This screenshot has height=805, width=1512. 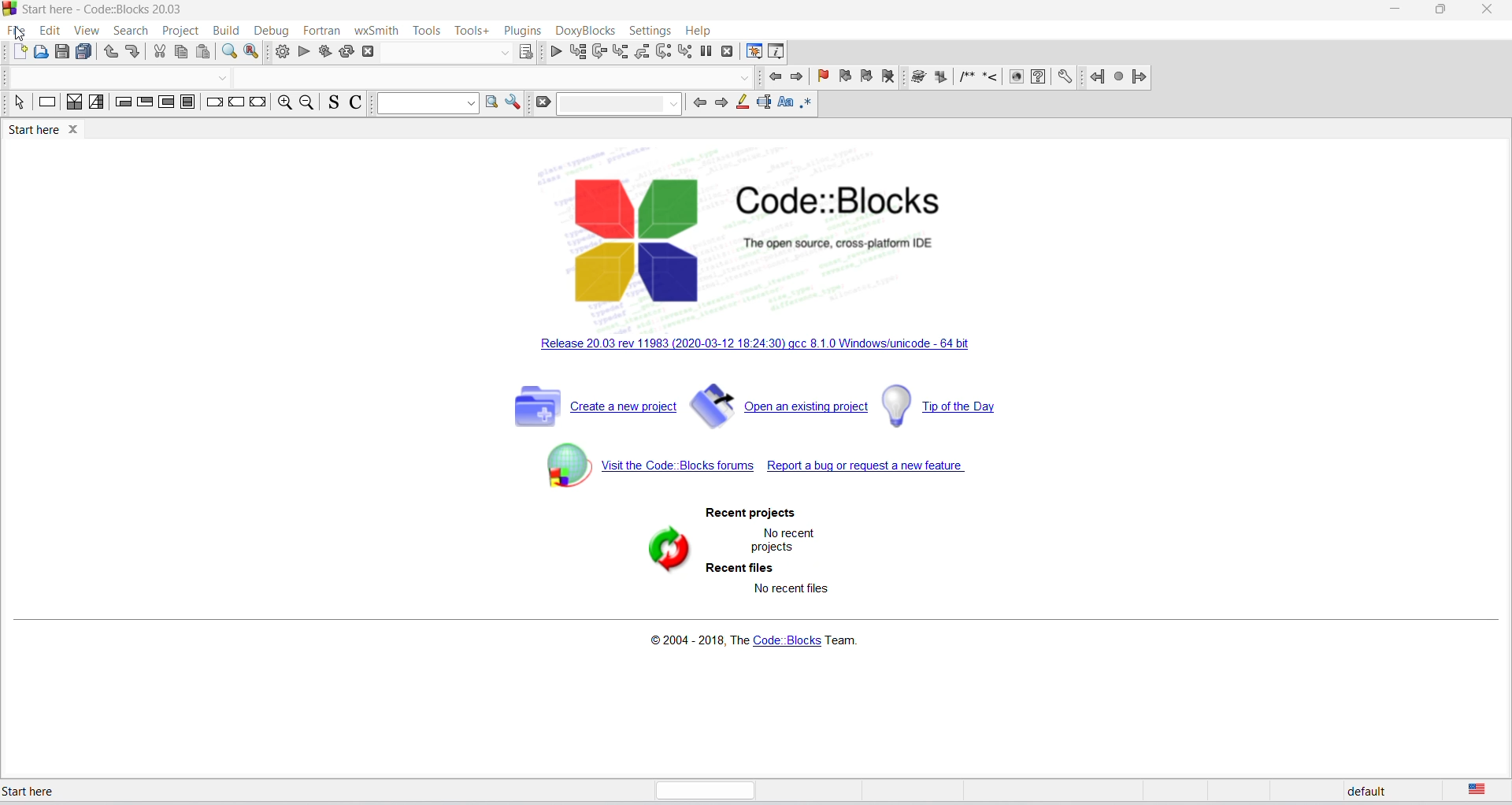 I want to click on wxSmith, so click(x=377, y=30).